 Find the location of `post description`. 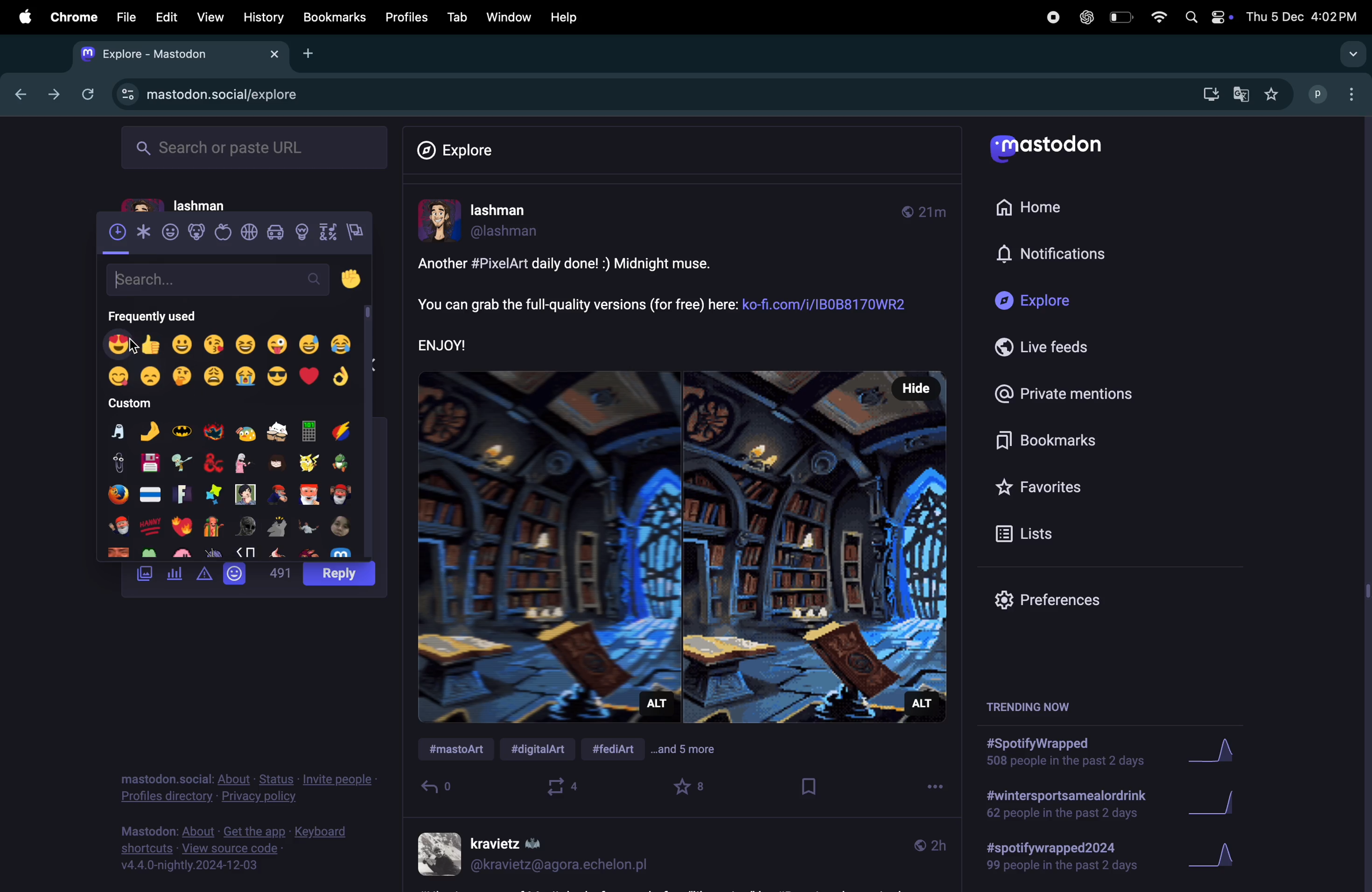

post description is located at coordinates (669, 304).